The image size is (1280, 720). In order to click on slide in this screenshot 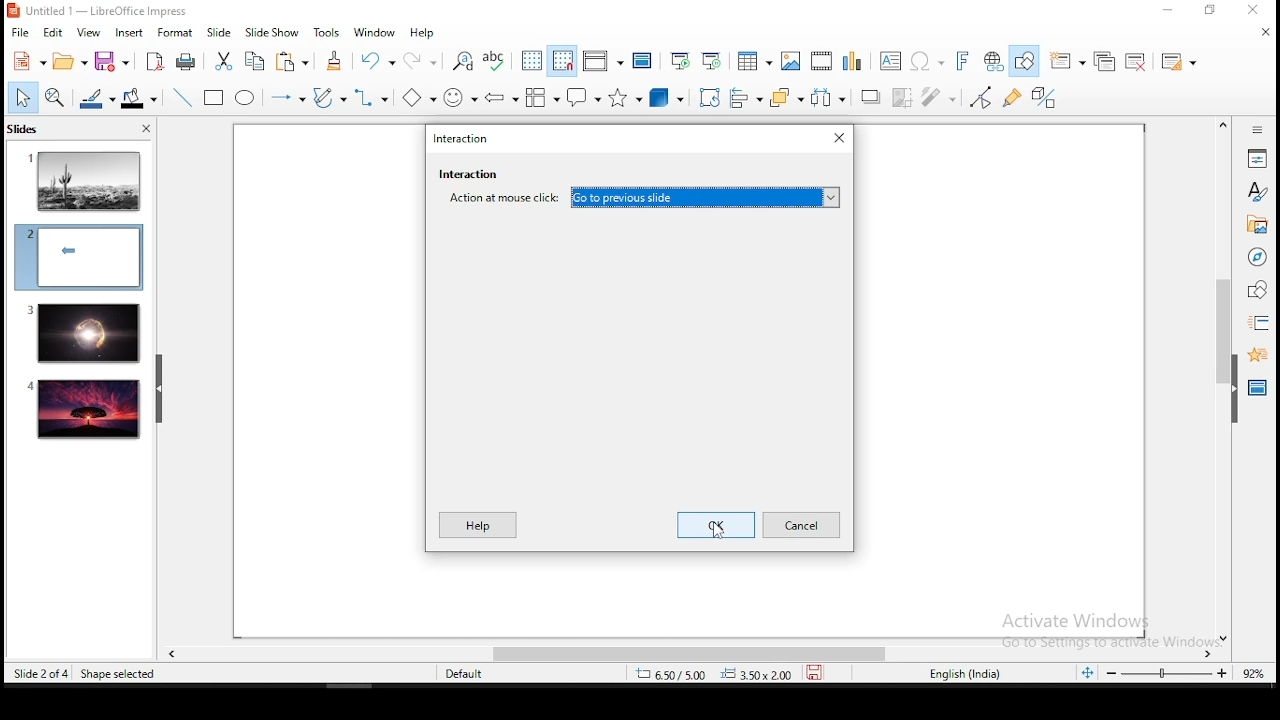, I will do `click(82, 333)`.